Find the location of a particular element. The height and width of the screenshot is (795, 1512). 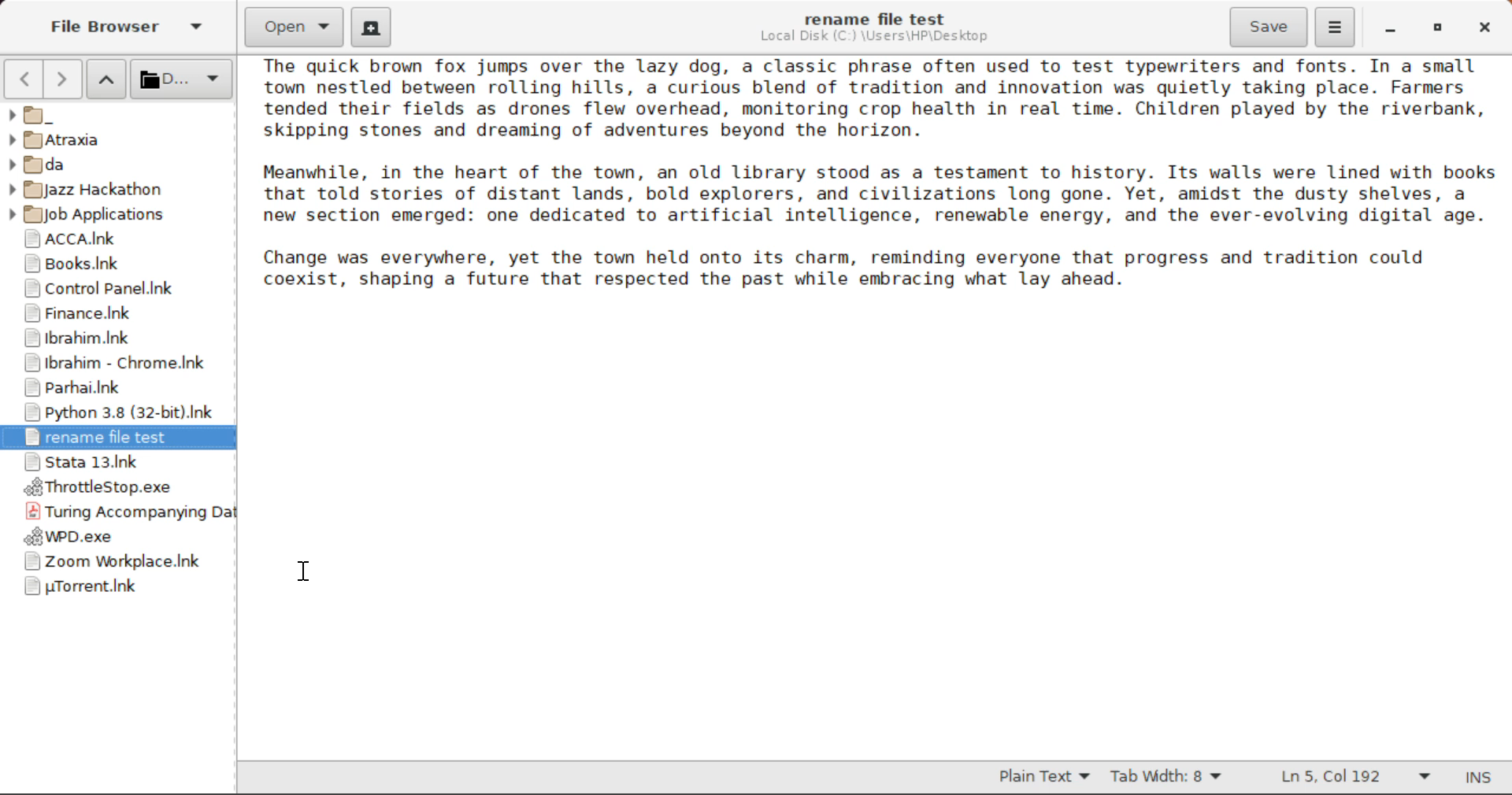

Turing Accompanying Data File is located at coordinates (121, 512).